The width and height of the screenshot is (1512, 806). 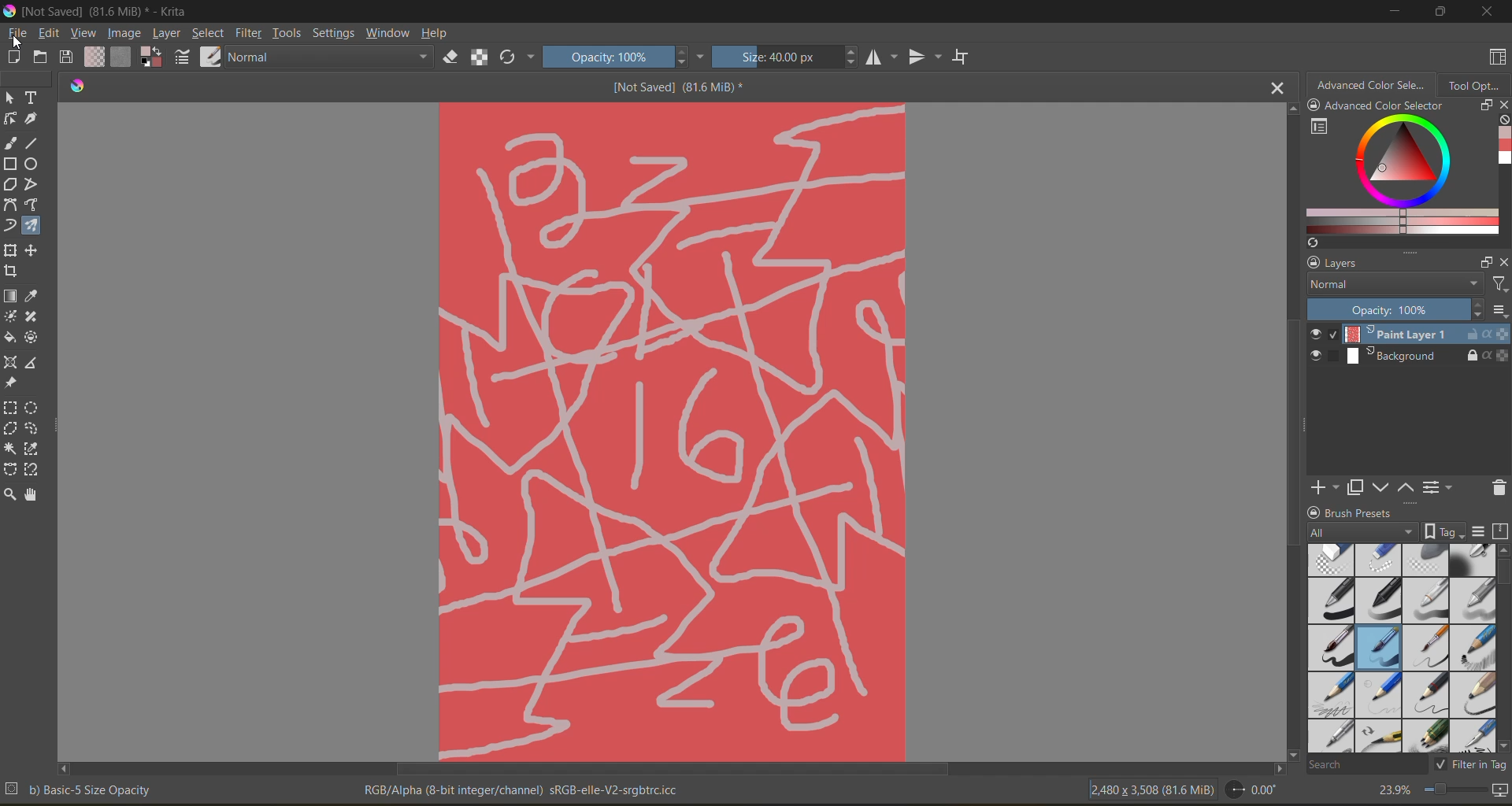 I want to click on close tab, so click(x=1279, y=87).